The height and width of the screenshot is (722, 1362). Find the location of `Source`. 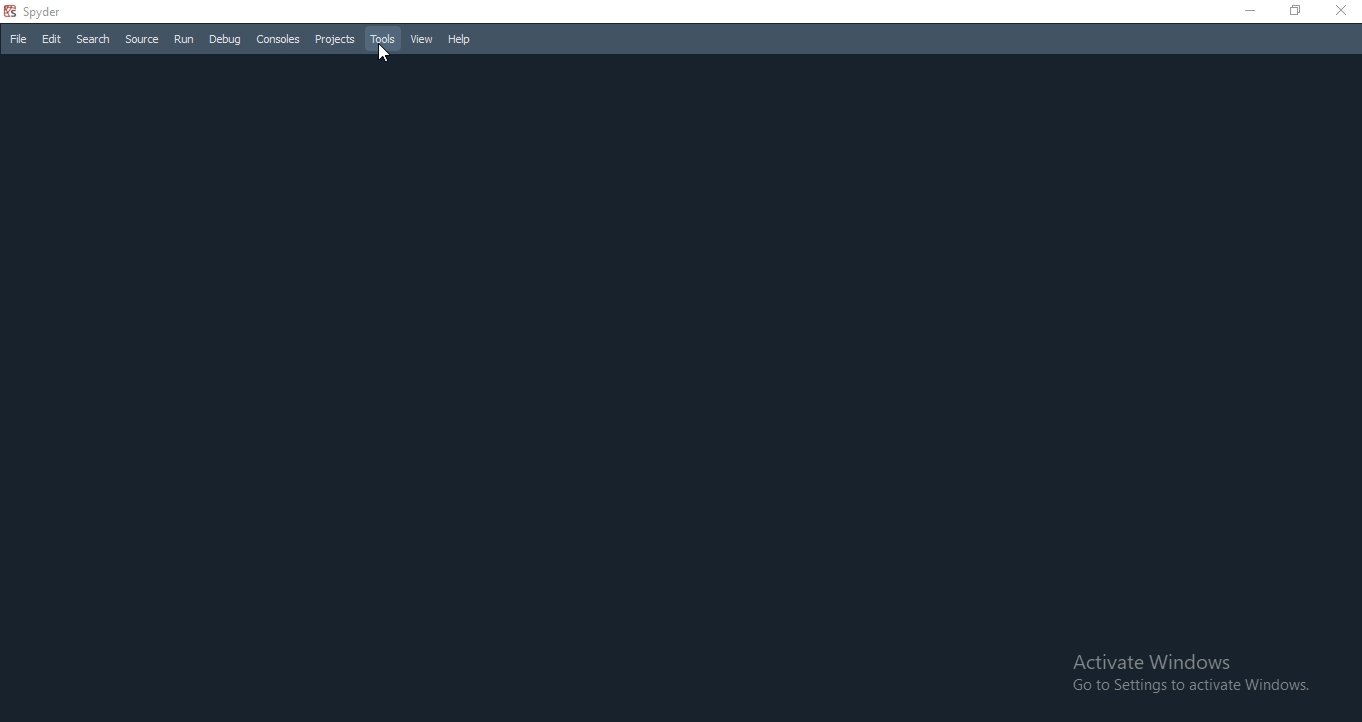

Source is located at coordinates (143, 39).